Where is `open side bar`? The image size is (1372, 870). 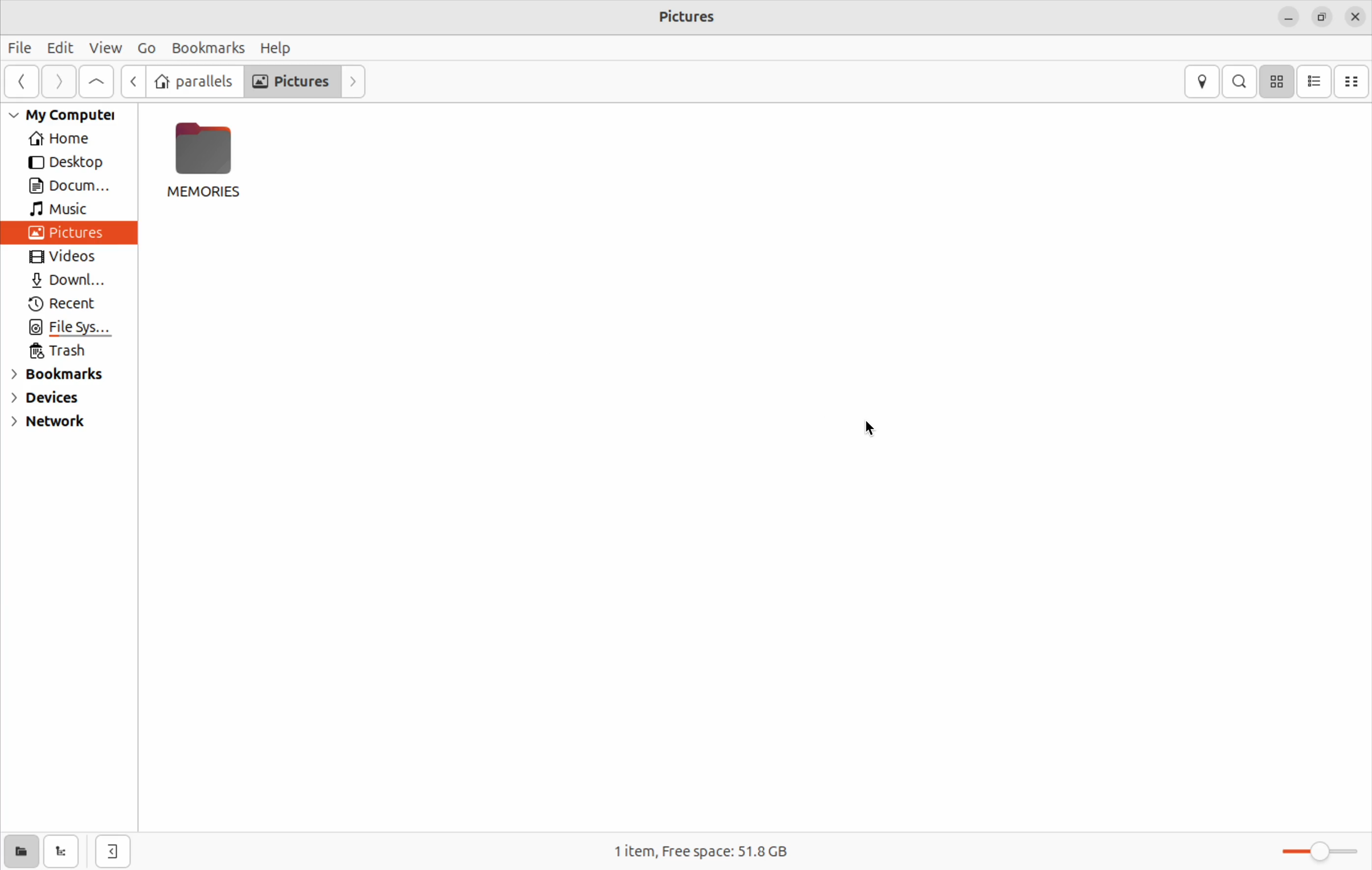
open side bar is located at coordinates (115, 852).